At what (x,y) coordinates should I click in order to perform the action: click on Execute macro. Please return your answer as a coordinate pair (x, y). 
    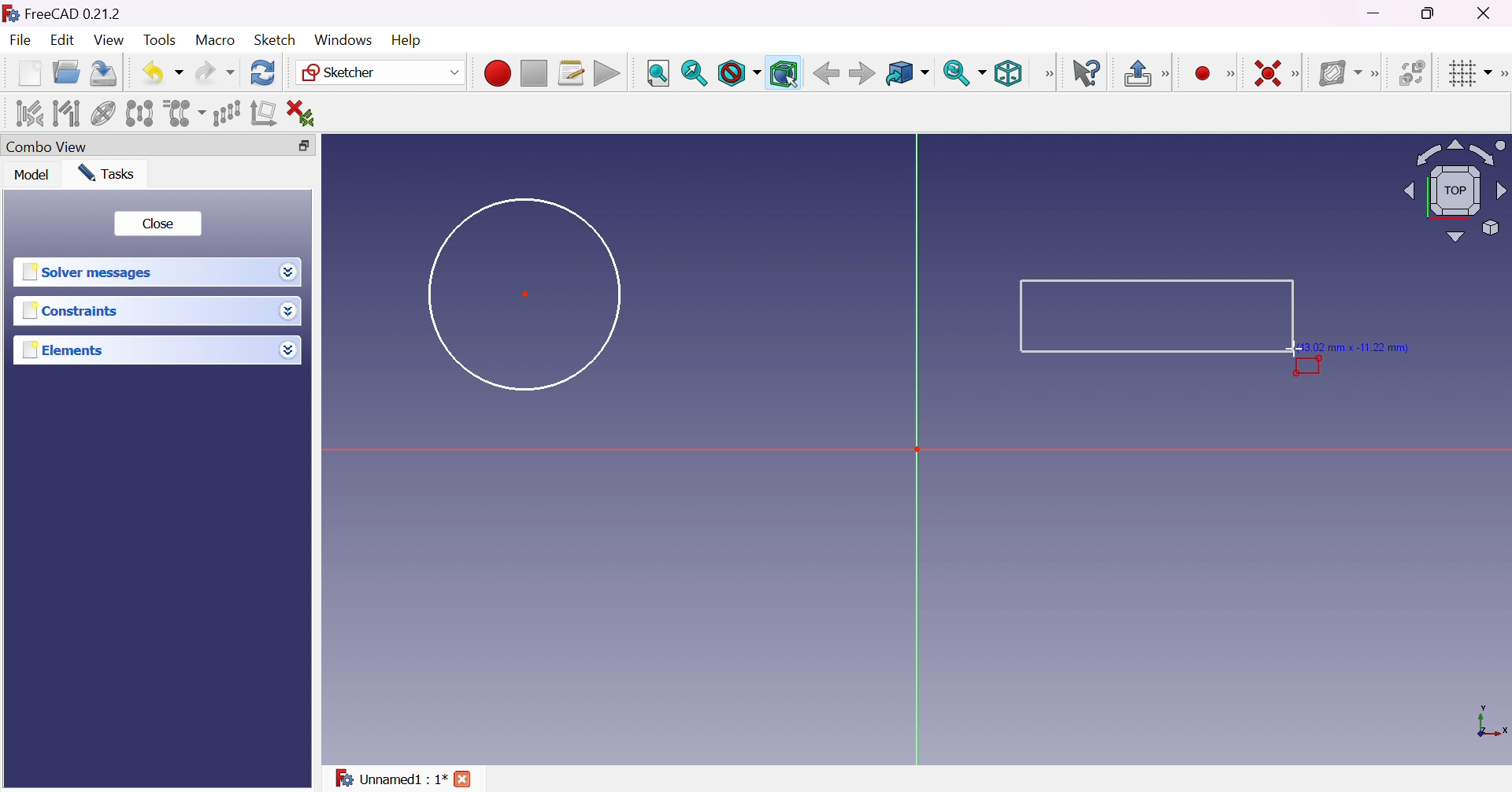
    Looking at the image, I should click on (607, 76).